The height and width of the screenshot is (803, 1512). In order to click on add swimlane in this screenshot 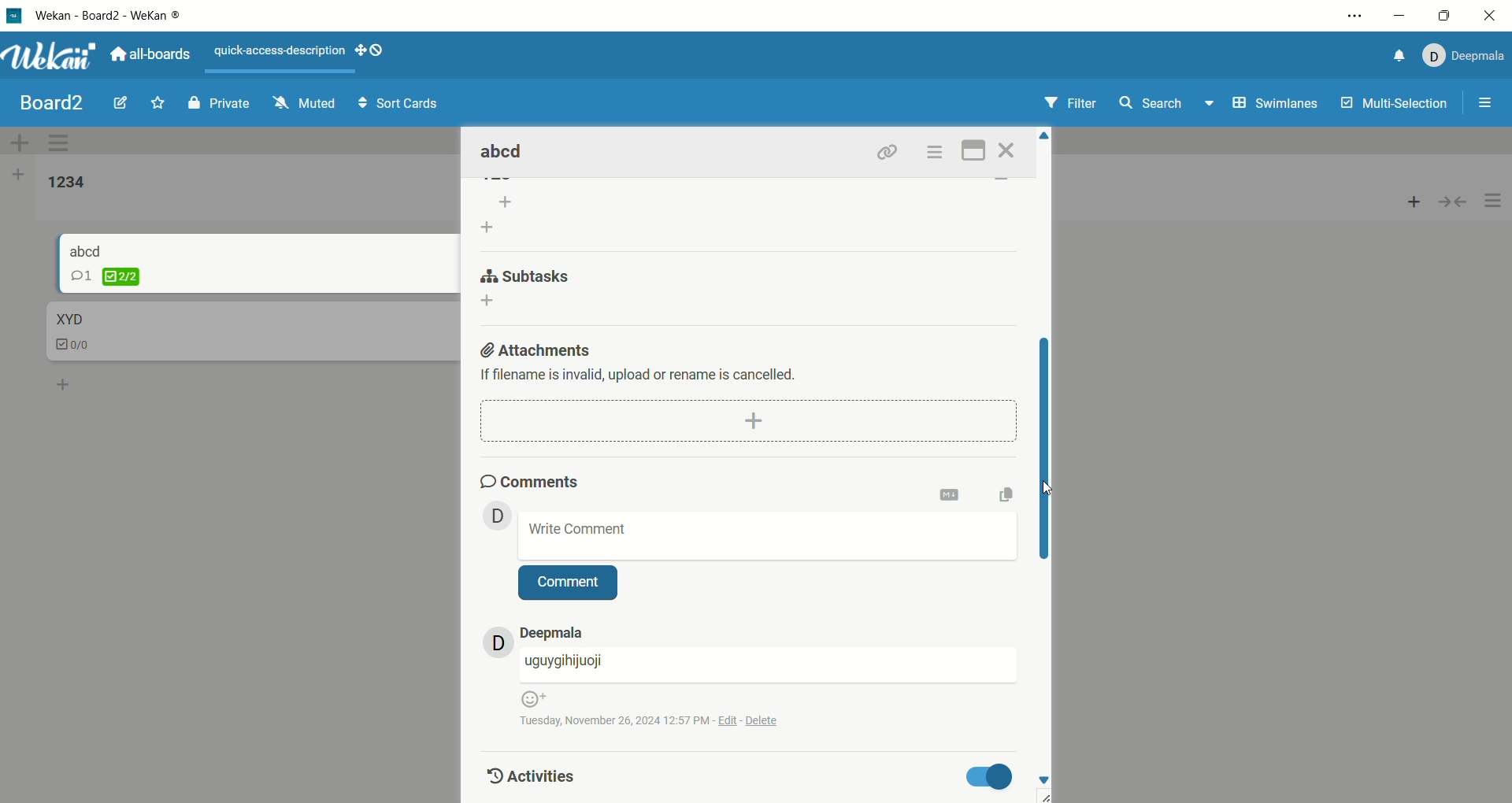, I will do `click(20, 142)`.